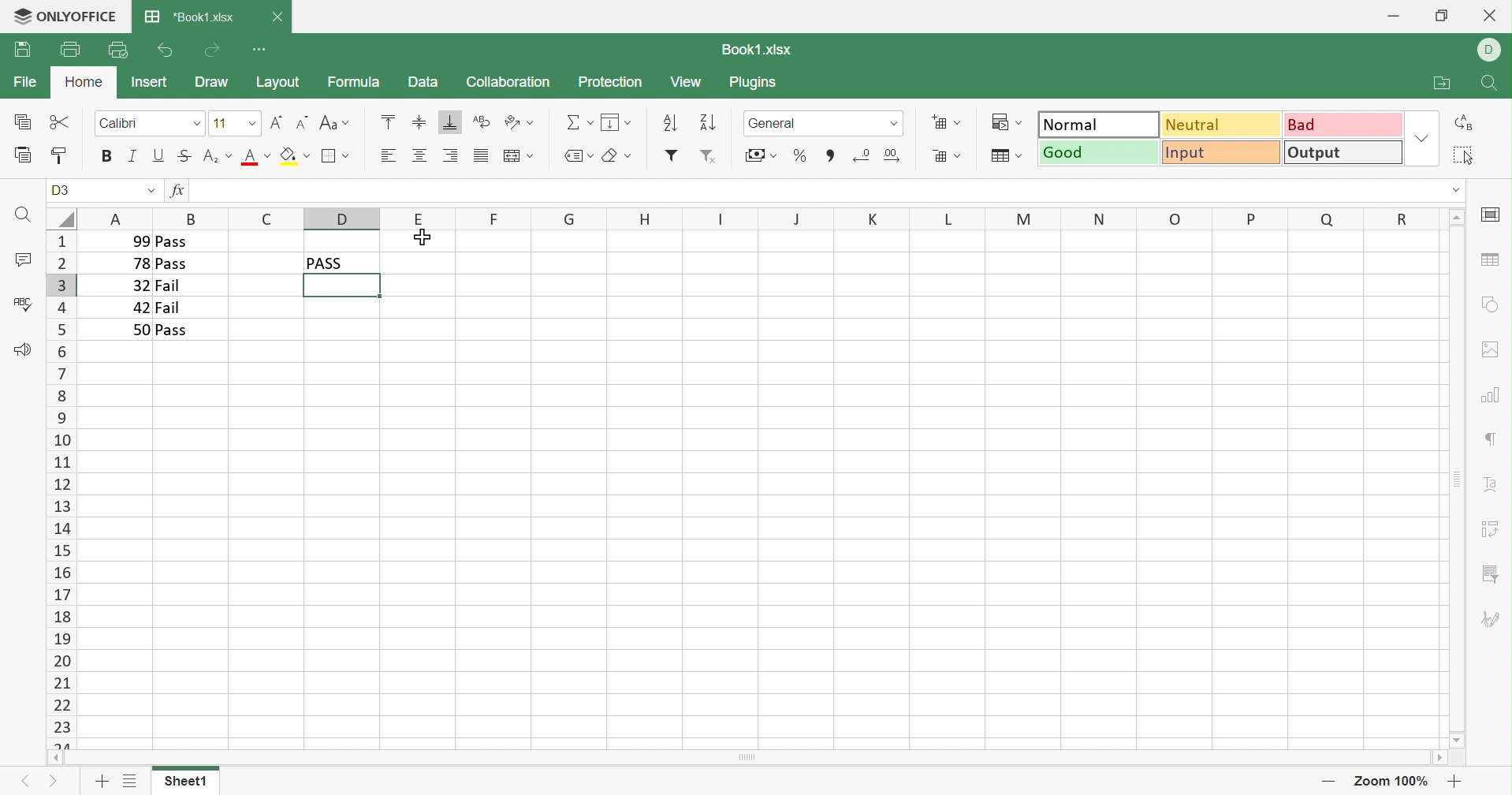  I want to click on Bad, so click(1345, 123).